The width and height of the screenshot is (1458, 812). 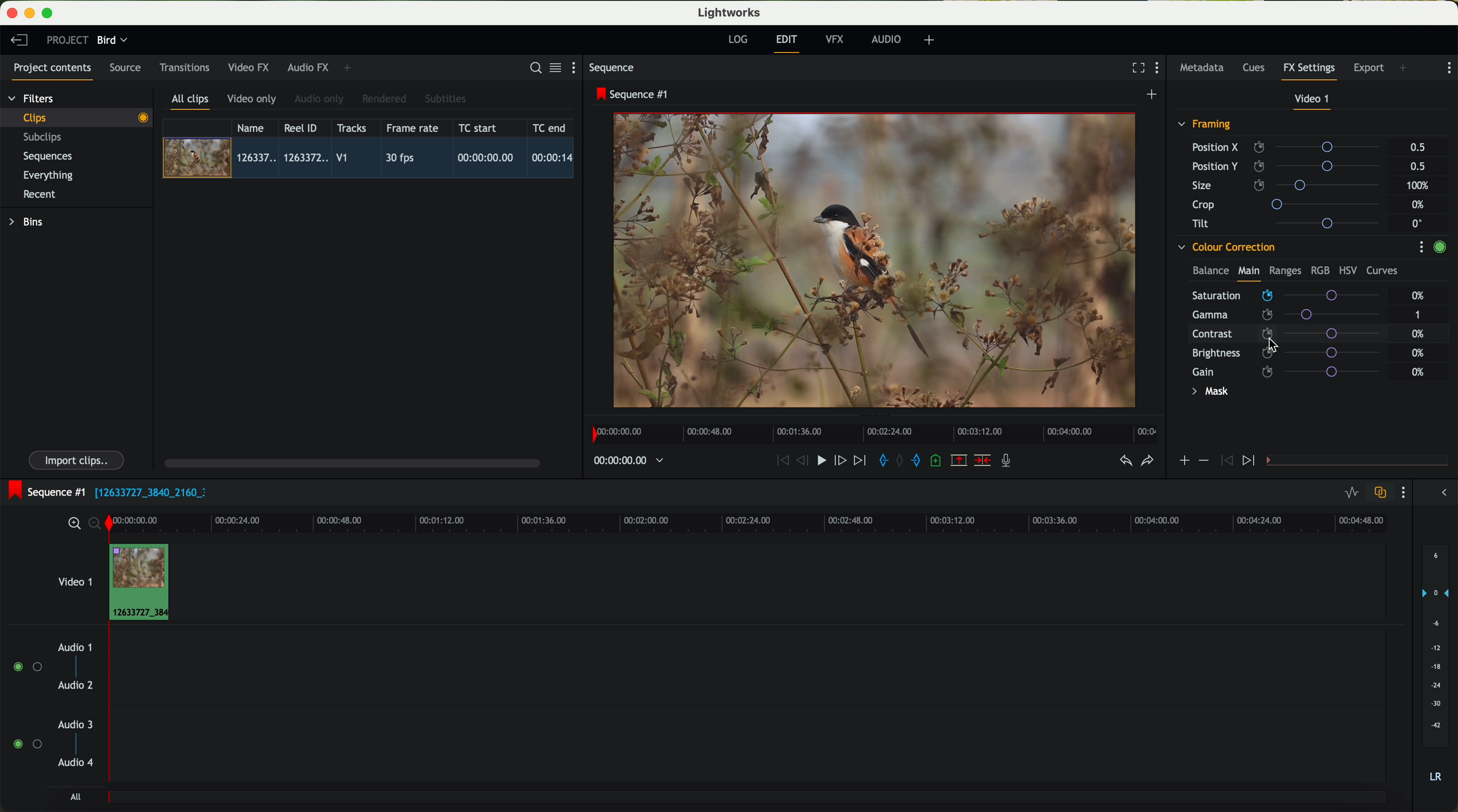 What do you see at coordinates (32, 98) in the screenshot?
I see `filters` at bounding box center [32, 98].